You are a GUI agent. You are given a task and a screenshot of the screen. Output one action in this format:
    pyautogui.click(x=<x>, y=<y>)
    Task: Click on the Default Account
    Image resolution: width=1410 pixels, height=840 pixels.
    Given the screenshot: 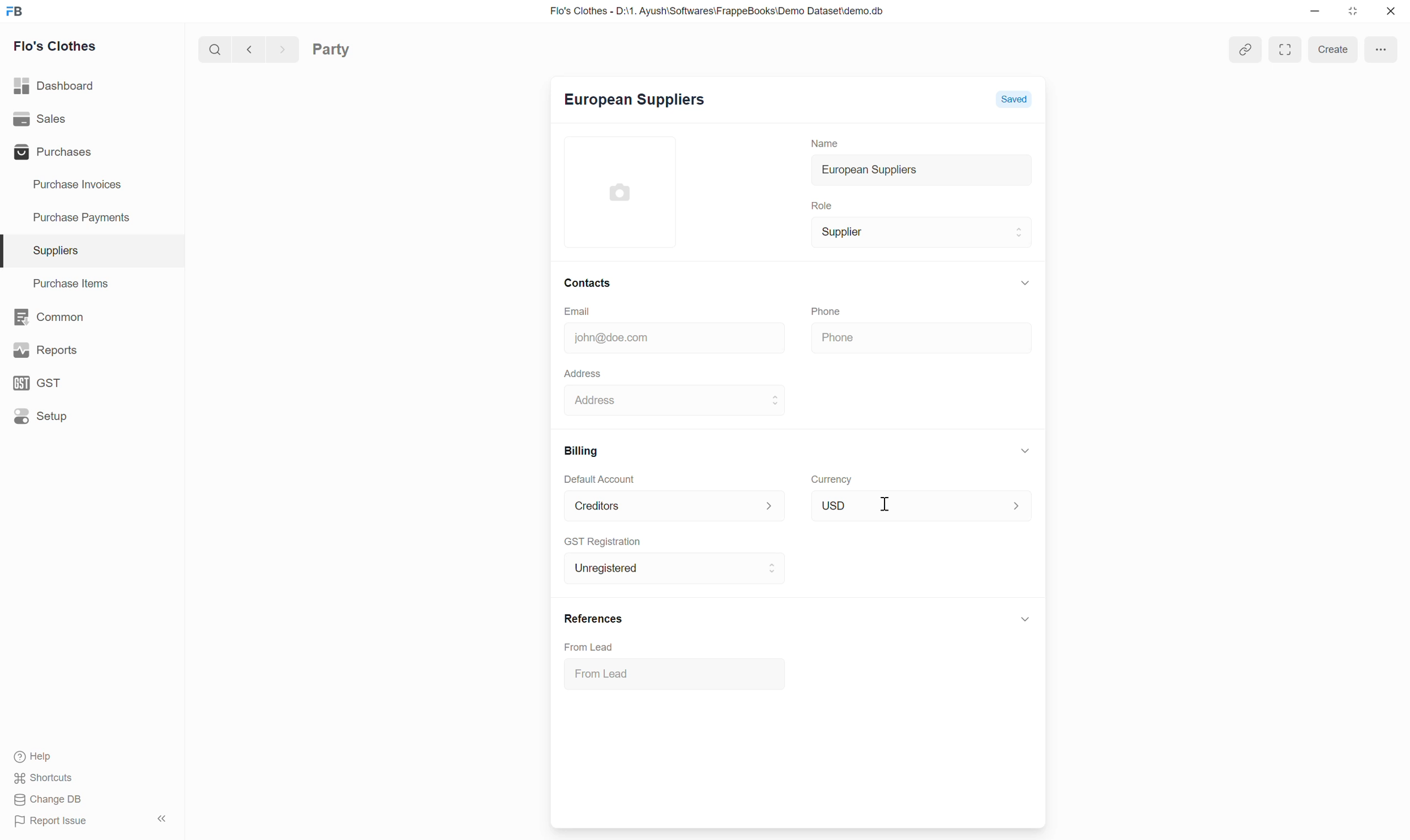 What is the action you would take?
    pyautogui.click(x=598, y=478)
    